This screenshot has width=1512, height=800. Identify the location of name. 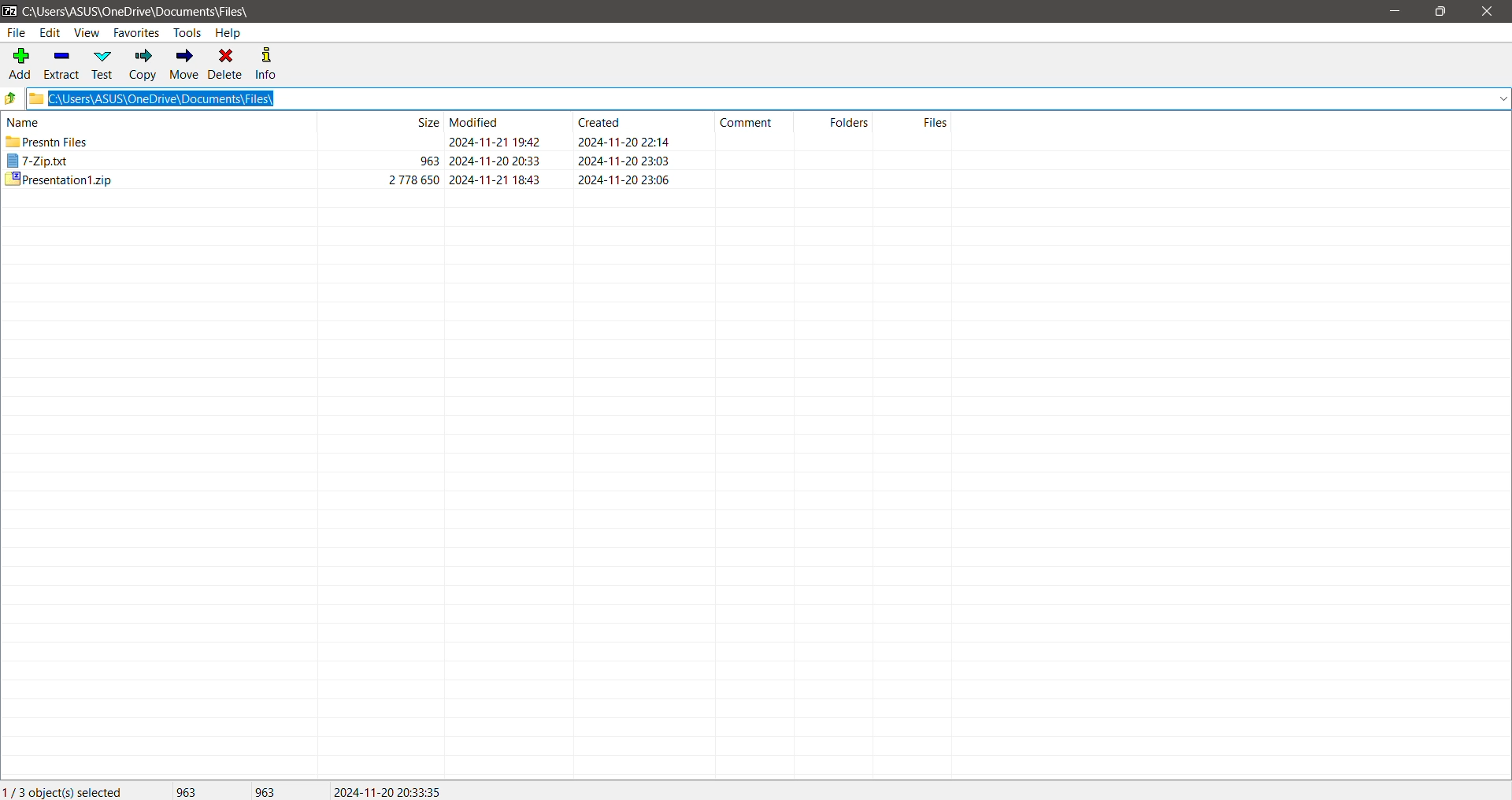
(24, 122).